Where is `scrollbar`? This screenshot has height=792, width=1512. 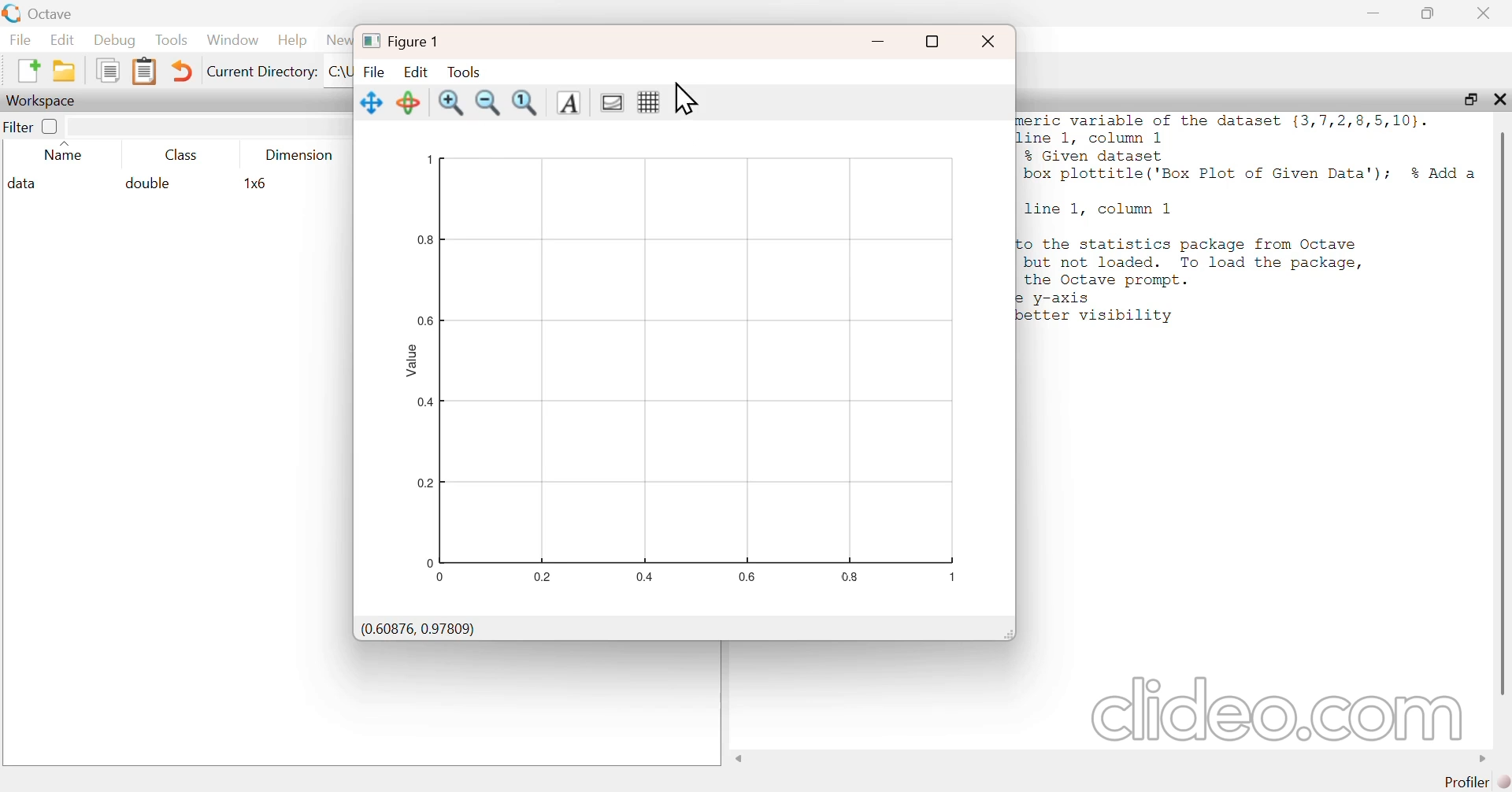 scrollbar is located at coordinates (1503, 412).